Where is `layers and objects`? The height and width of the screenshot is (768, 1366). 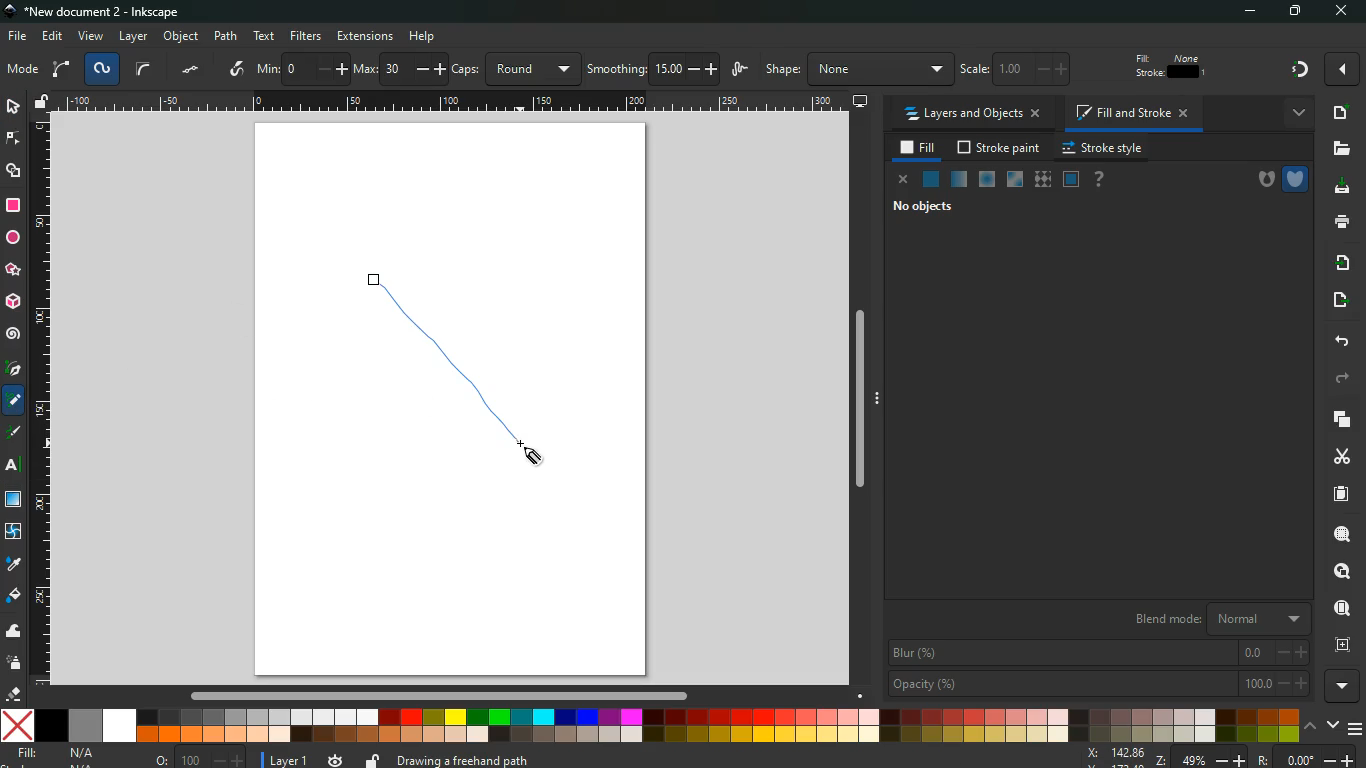 layers and objects is located at coordinates (972, 114).